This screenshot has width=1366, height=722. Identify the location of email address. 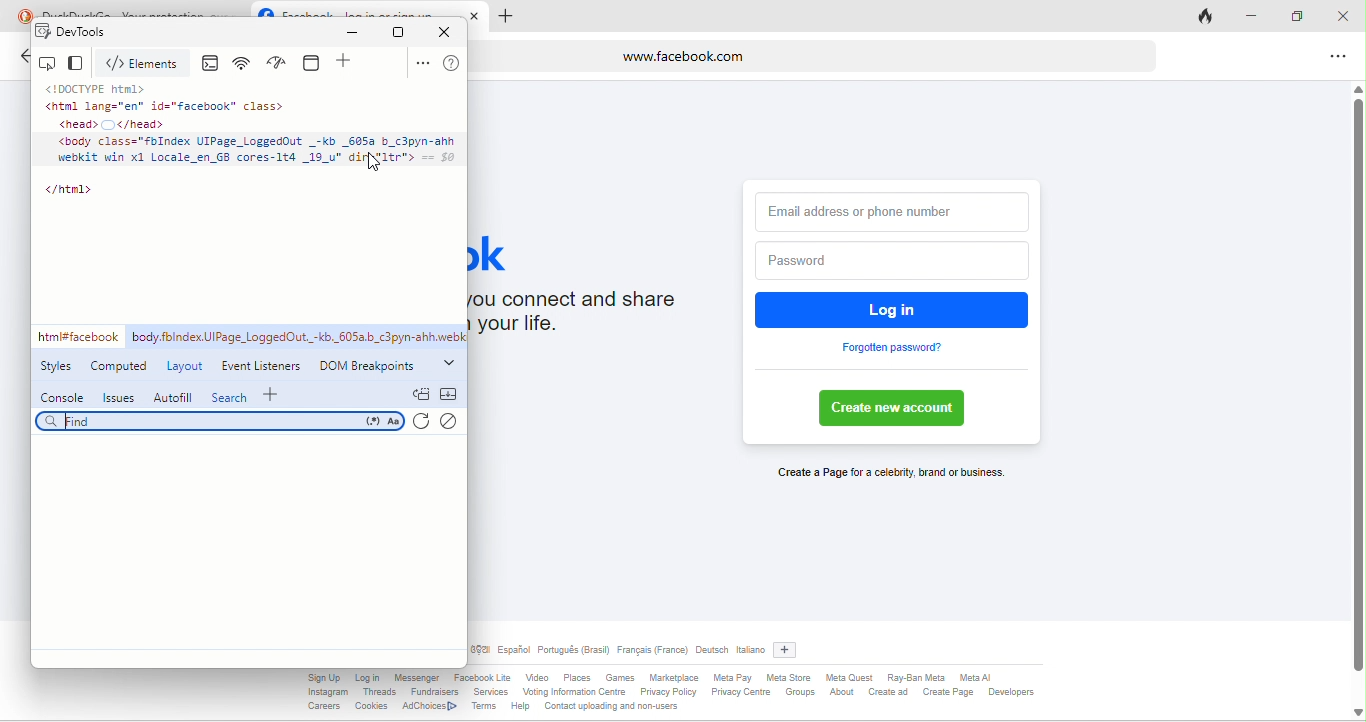
(893, 208).